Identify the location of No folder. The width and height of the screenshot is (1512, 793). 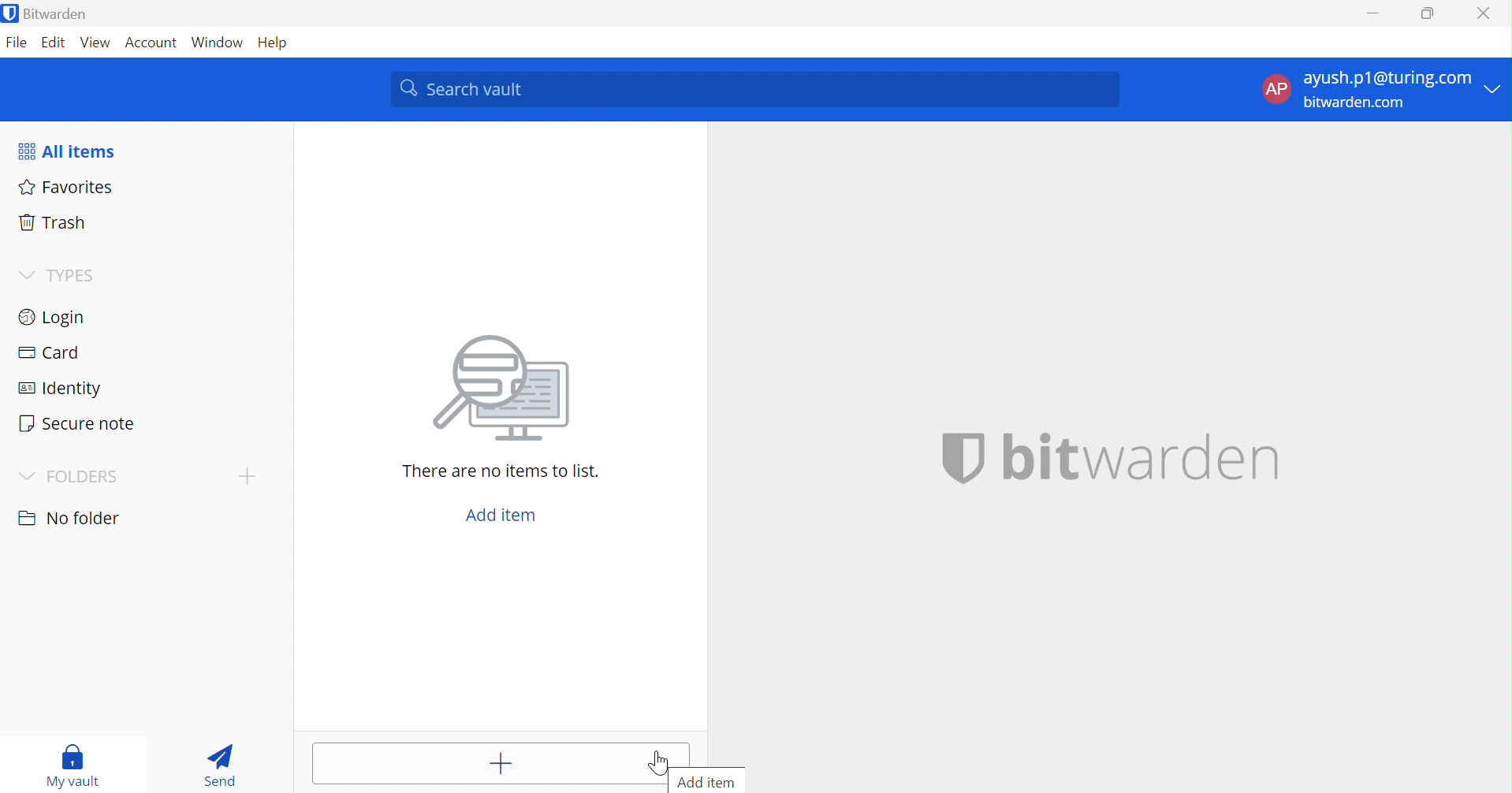
(70, 520).